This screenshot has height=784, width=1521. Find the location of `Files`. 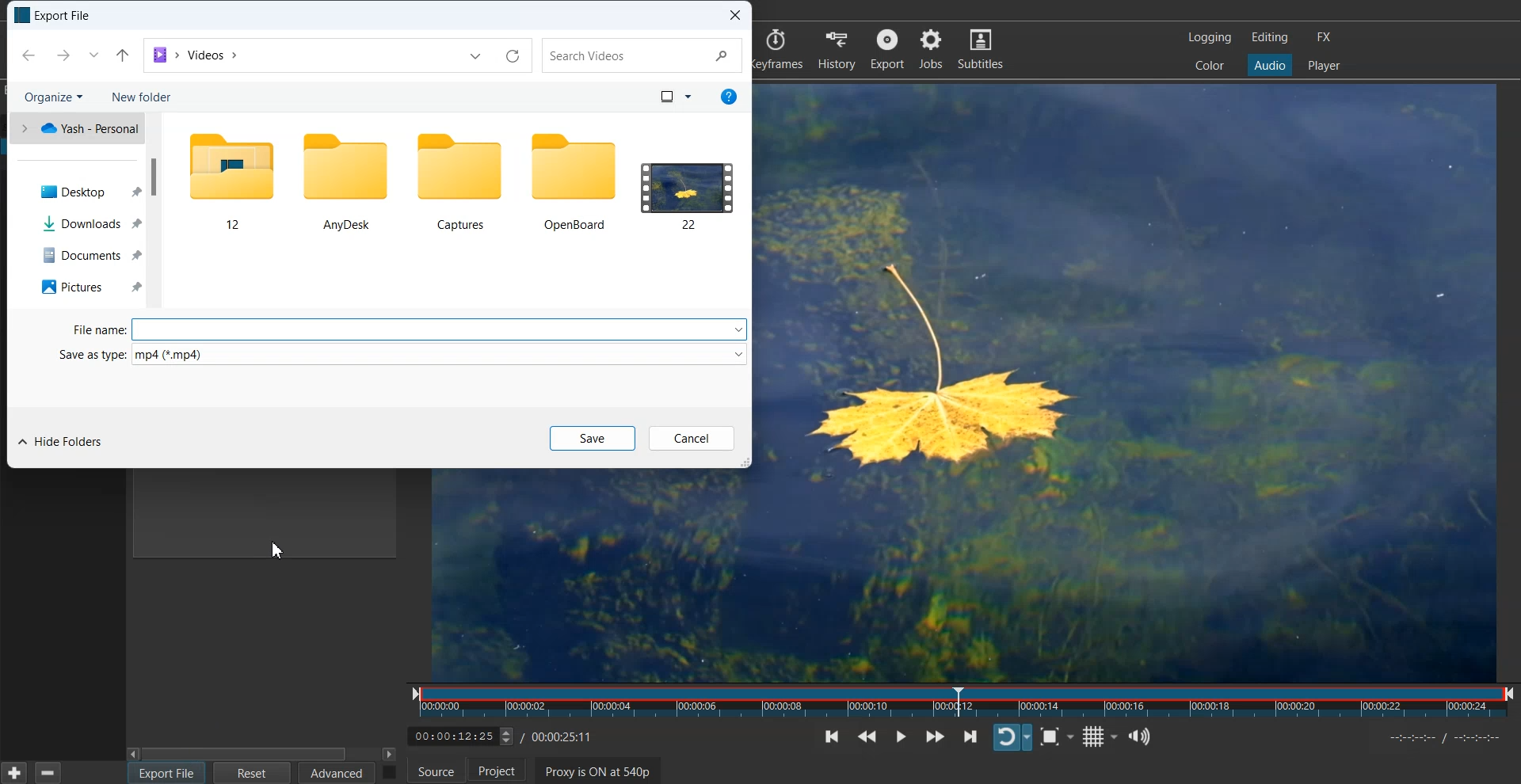

Files is located at coordinates (342, 181).